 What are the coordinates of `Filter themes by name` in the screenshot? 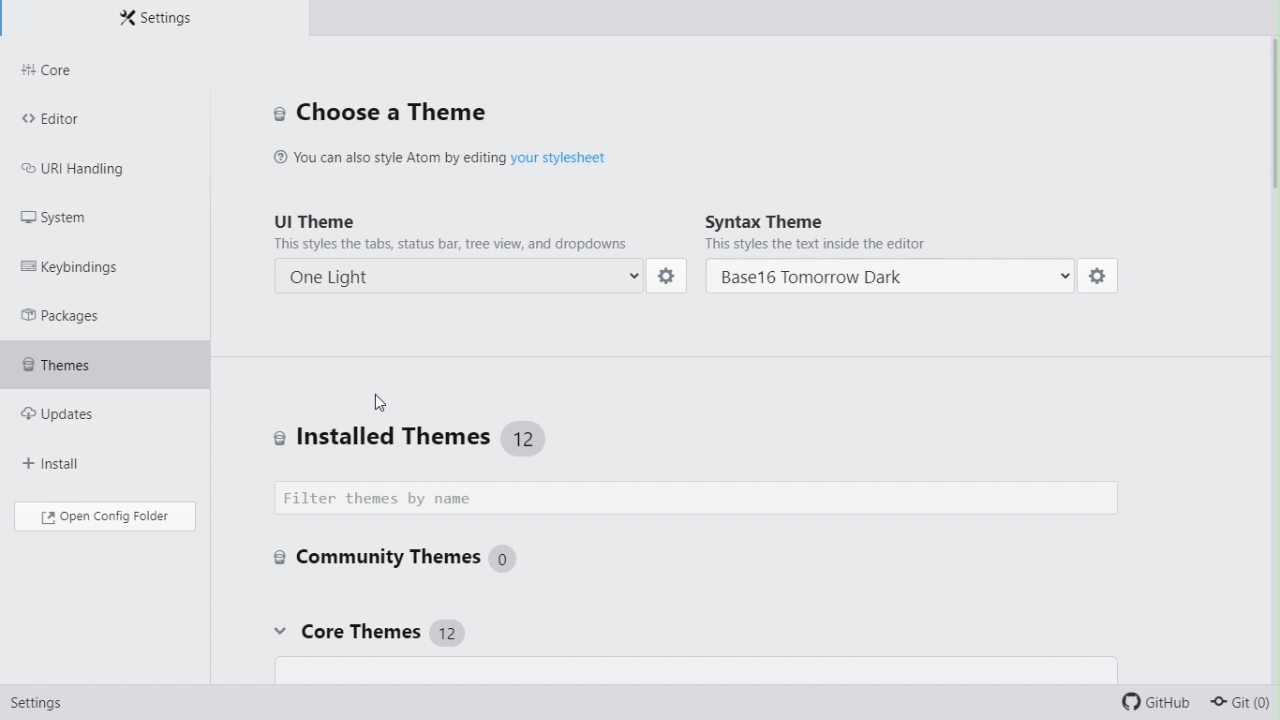 It's located at (695, 497).